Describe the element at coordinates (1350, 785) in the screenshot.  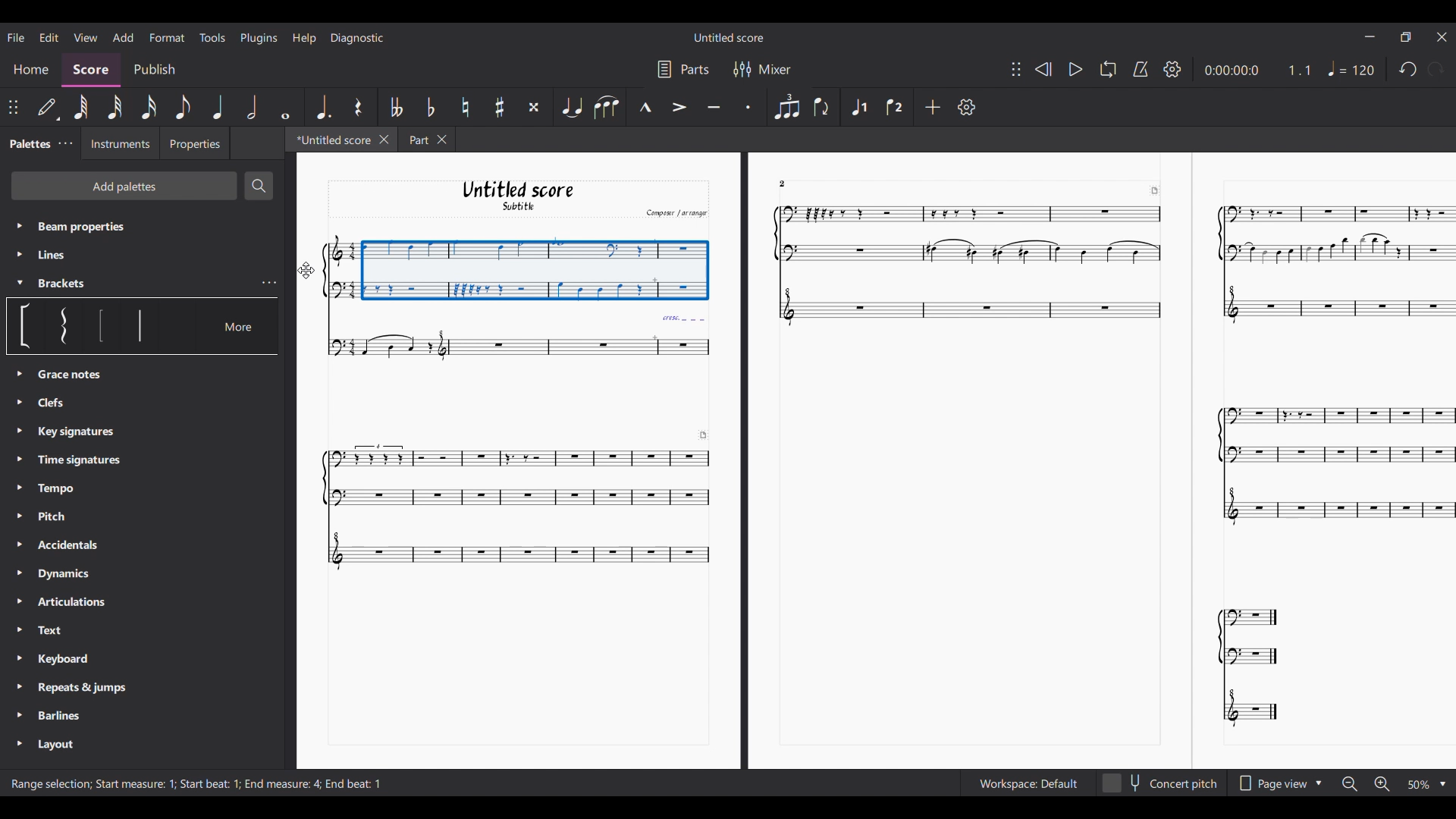
I see `Zoom out` at that location.